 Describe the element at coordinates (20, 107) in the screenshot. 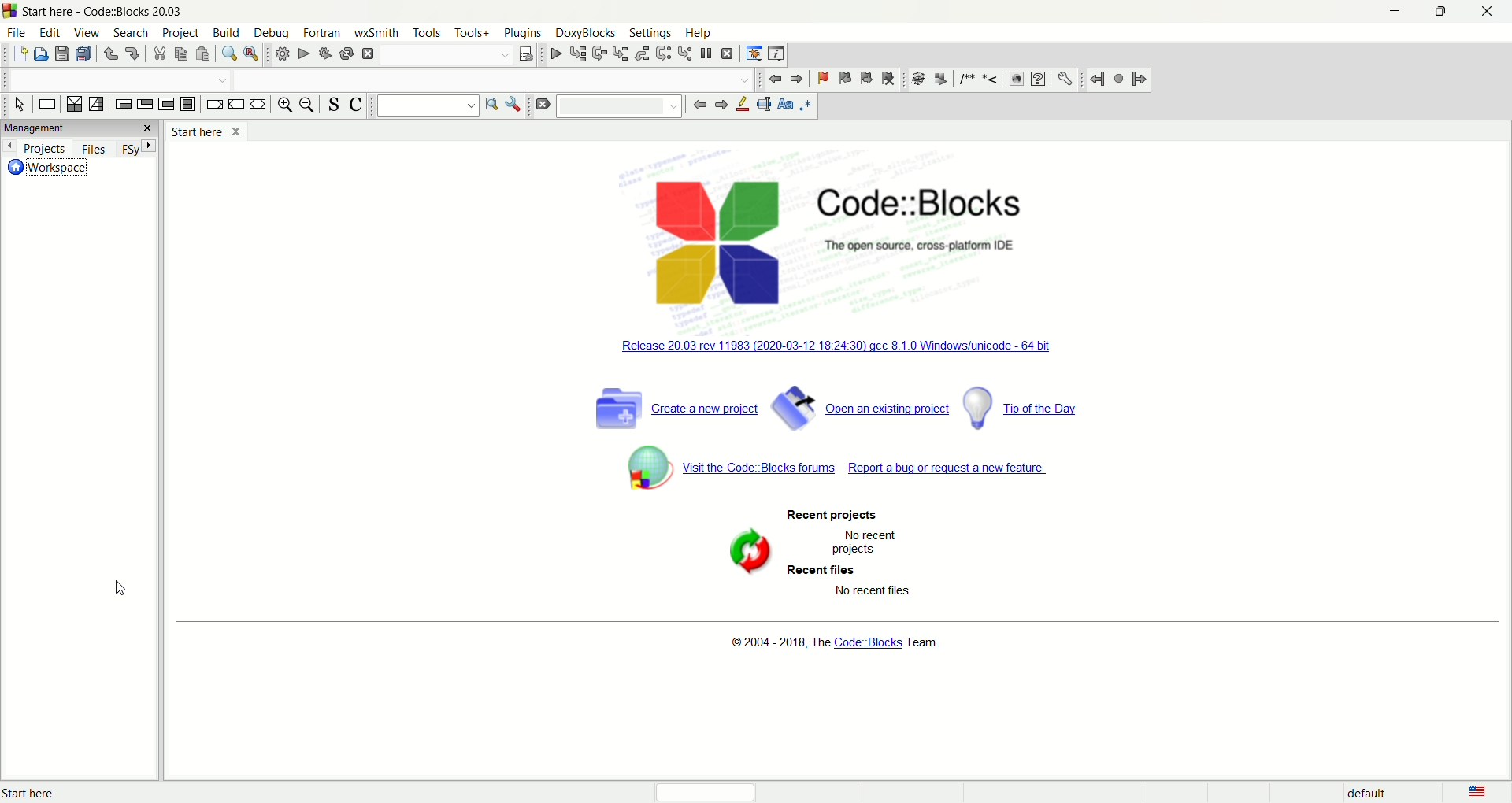

I see `select` at that location.